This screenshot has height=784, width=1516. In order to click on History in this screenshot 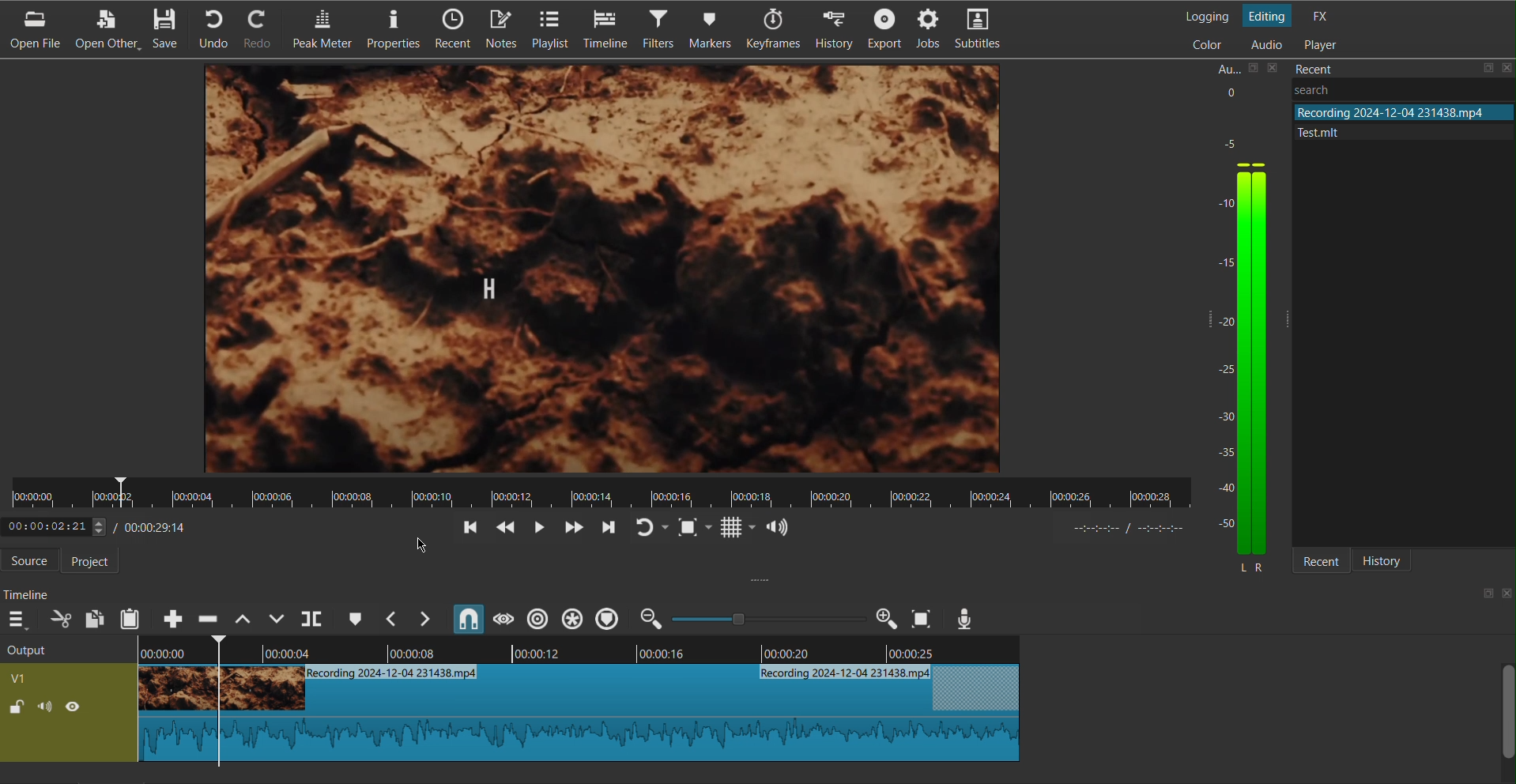, I will do `click(836, 32)`.